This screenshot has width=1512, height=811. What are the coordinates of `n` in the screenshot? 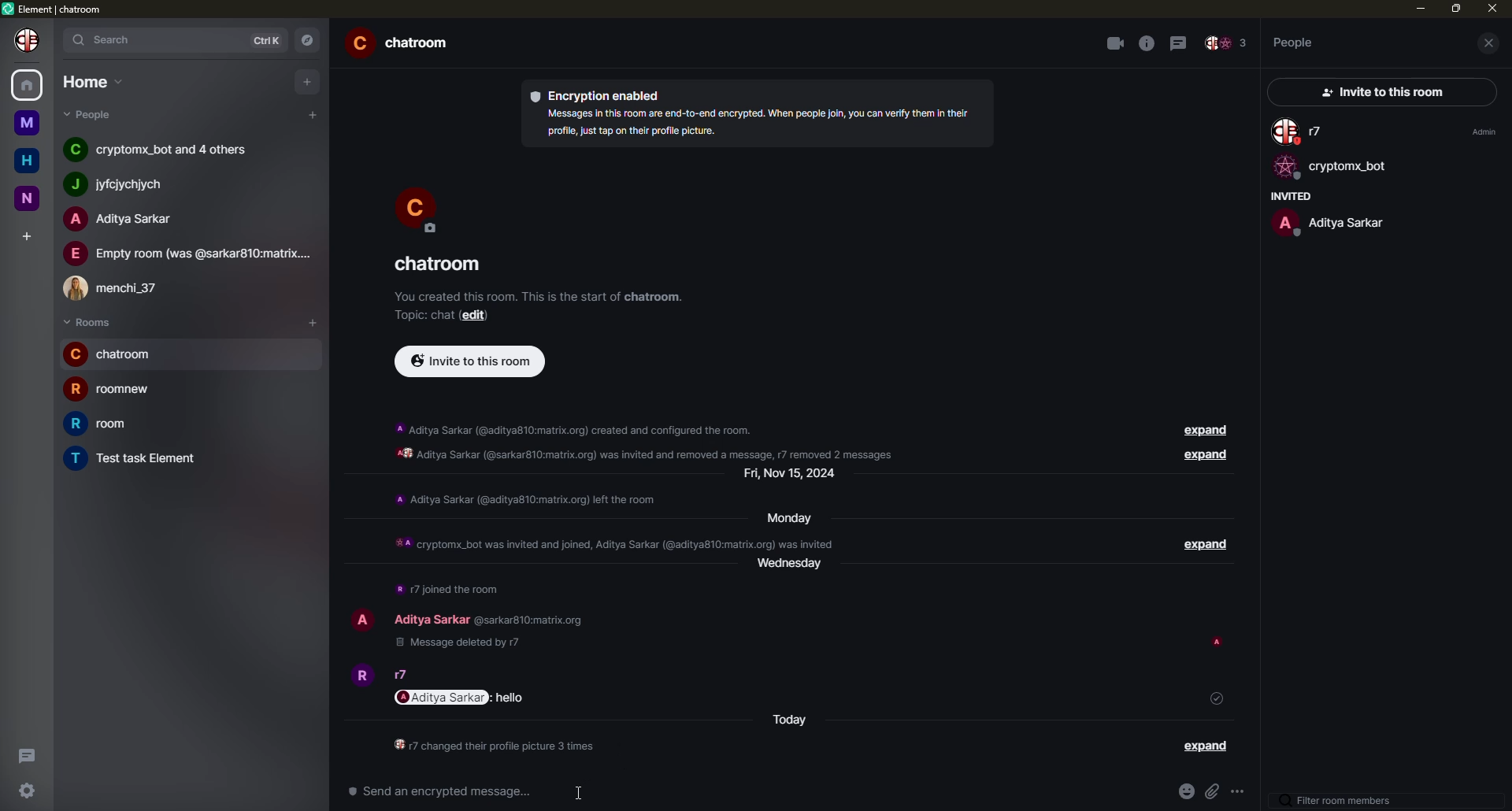 It's located at (33, 197).